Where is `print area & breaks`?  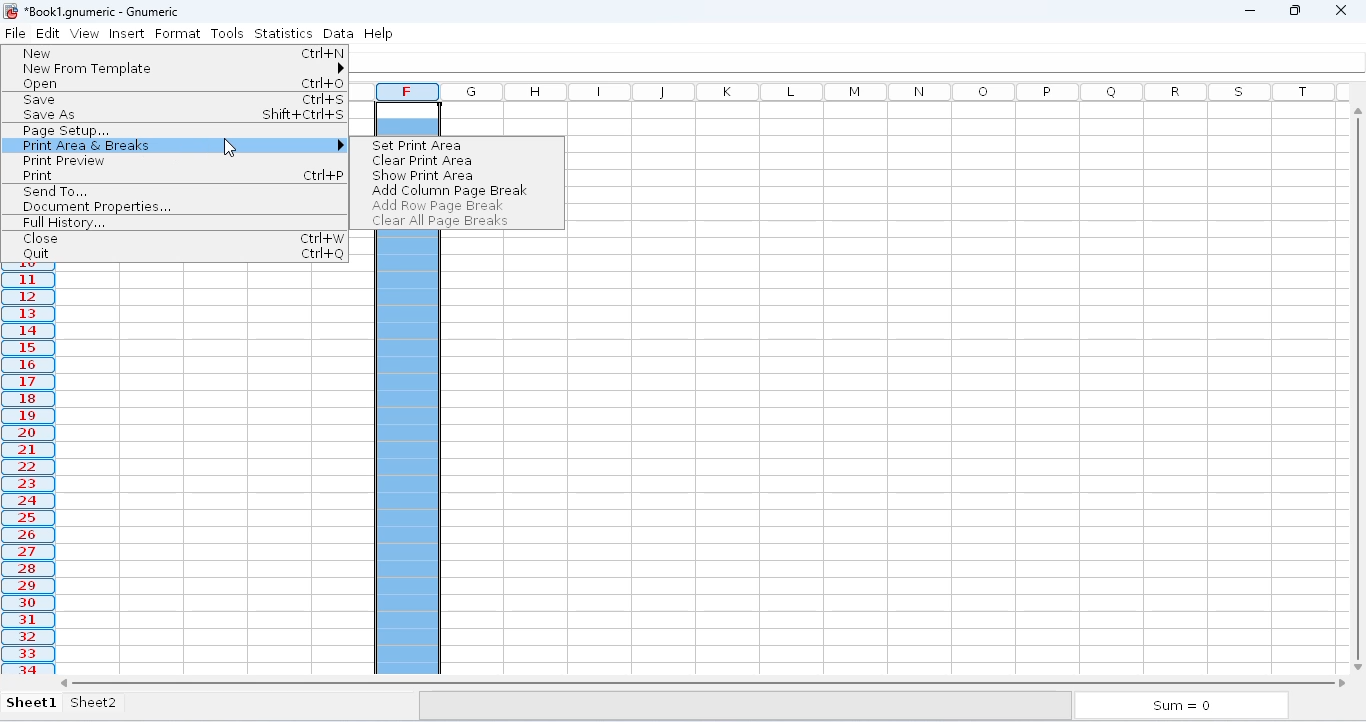 print area & breaks is located at coordinates (179, 145).